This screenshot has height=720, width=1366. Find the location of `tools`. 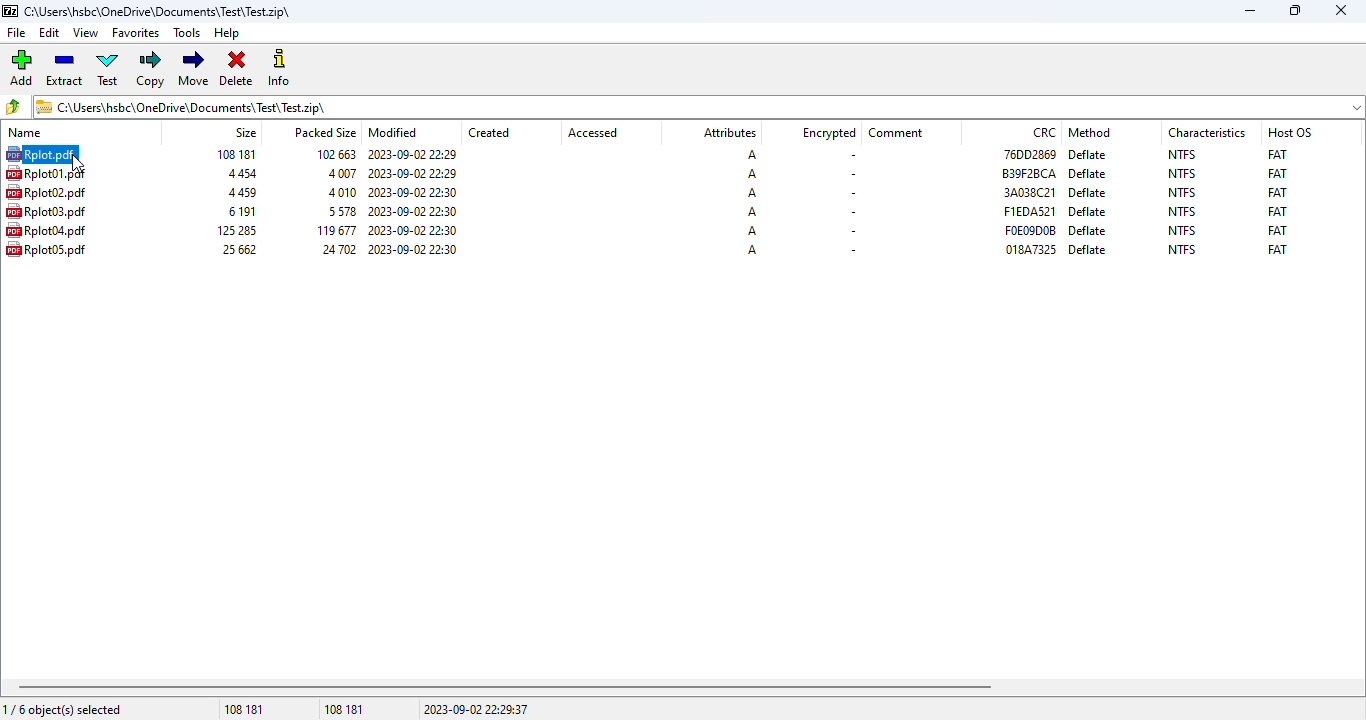

tools is located at coordinates (188, 34).